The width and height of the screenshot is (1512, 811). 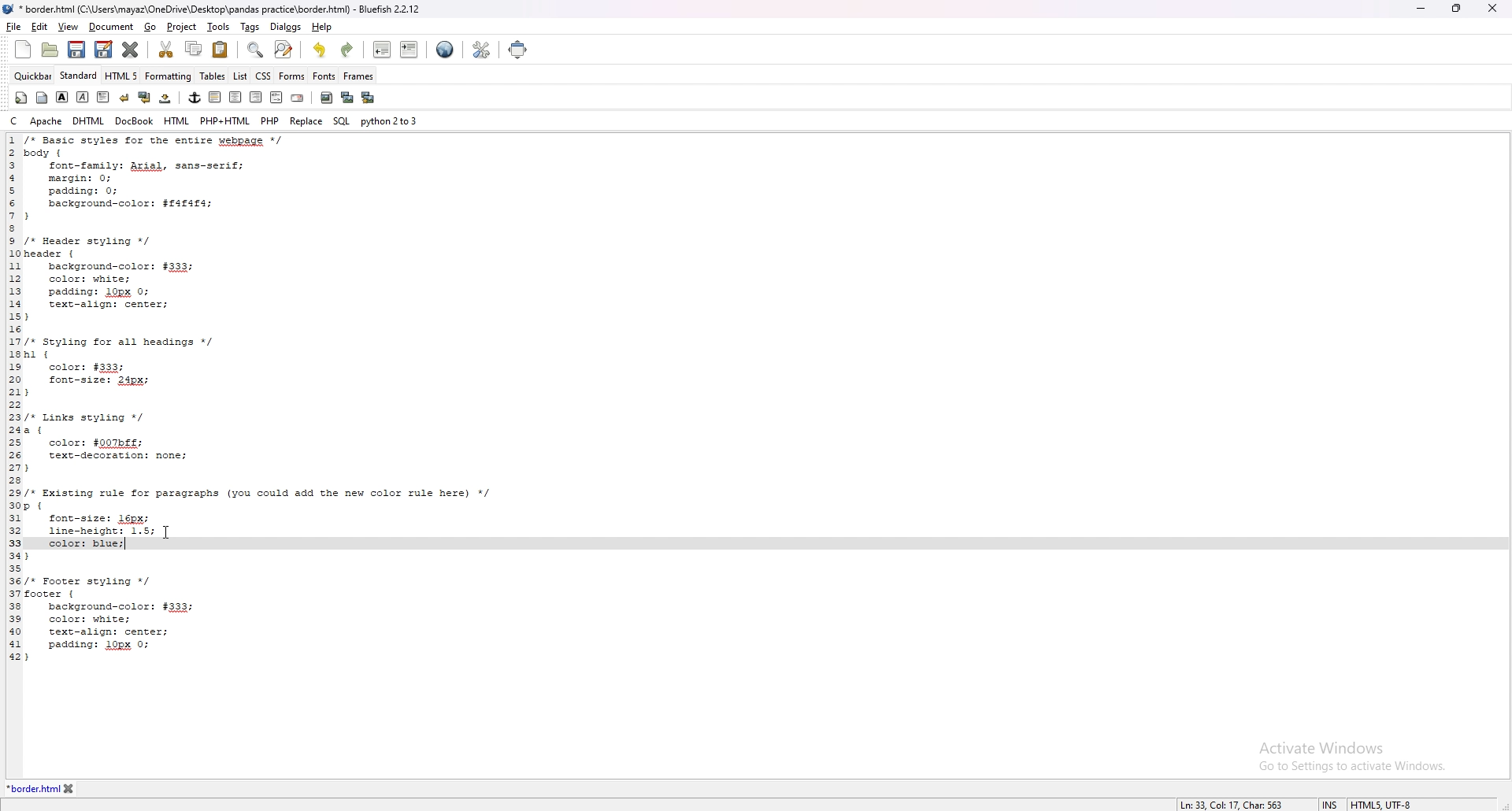 What do you see at coordinates (390, 121) in the screenshot?
I see `python 2to3` at bounding box center [390, 121].